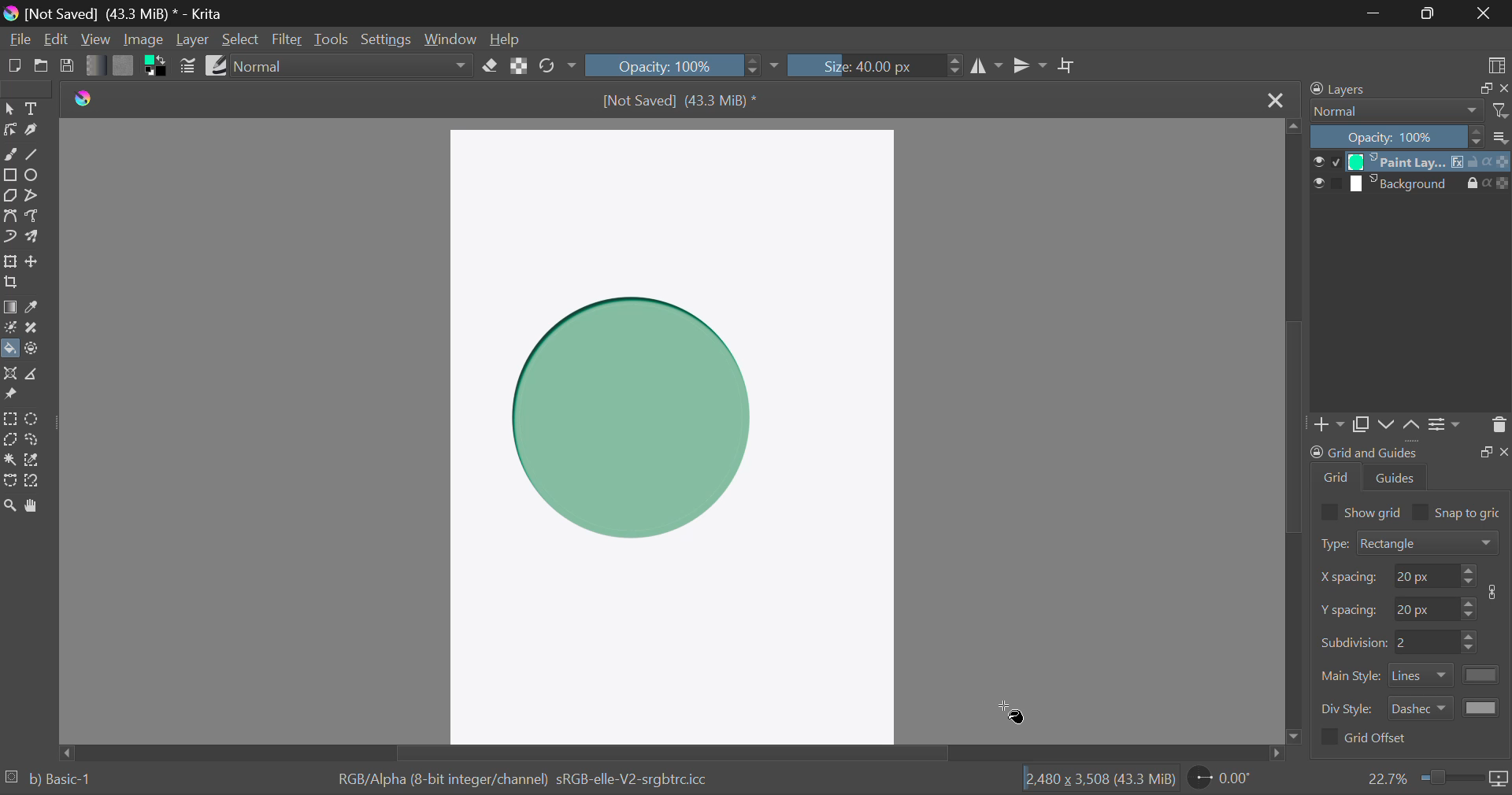 This screenshot has width=1512, height=795. What do you see at coordinates (1431, 13) in the screenshot?
I see `Minimize` at bounding box center [1431, 13].